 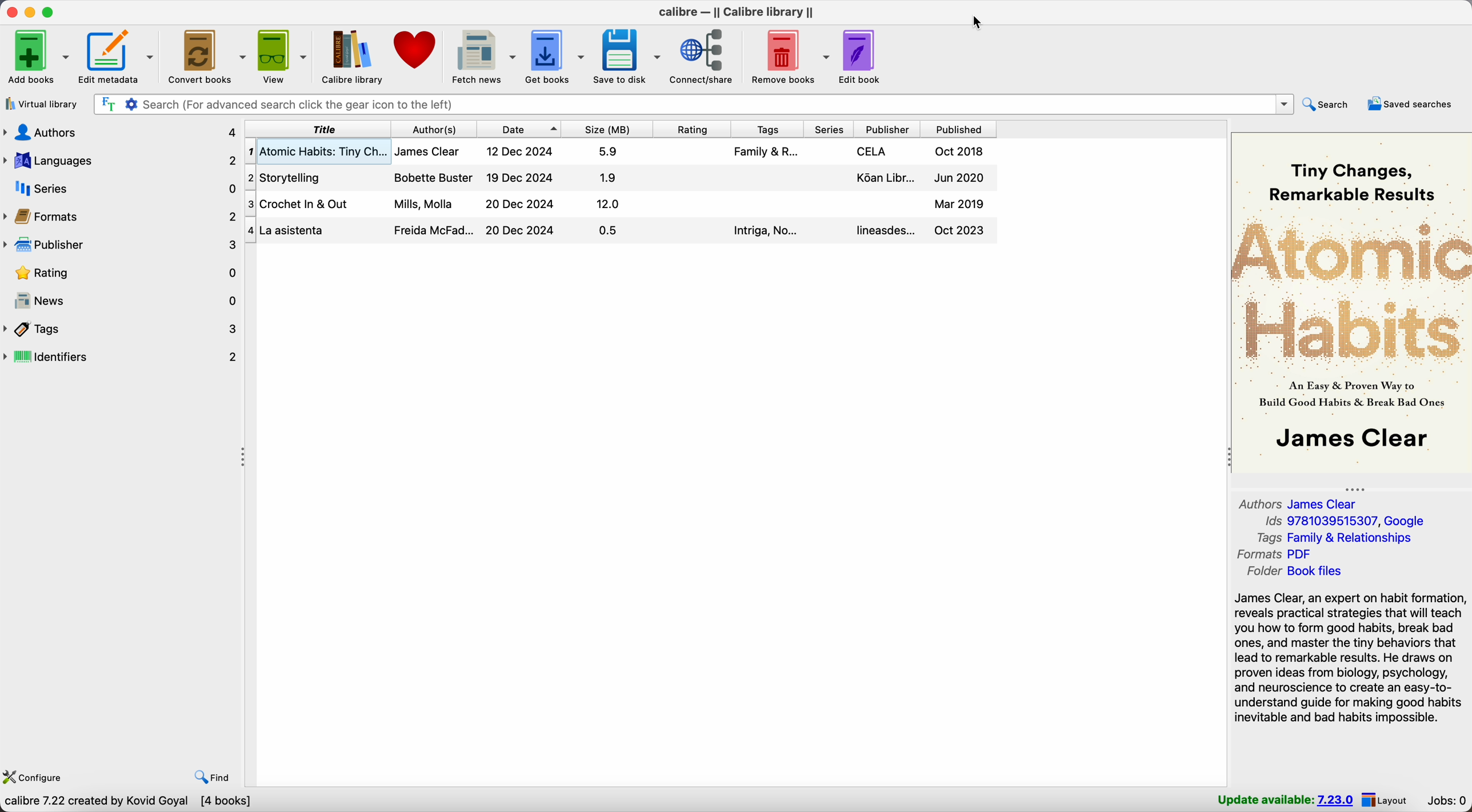 What do you see at coordinates (30, 13) in the screenshot?
I see `minimize Calibre` at bounding box center [30, 13].